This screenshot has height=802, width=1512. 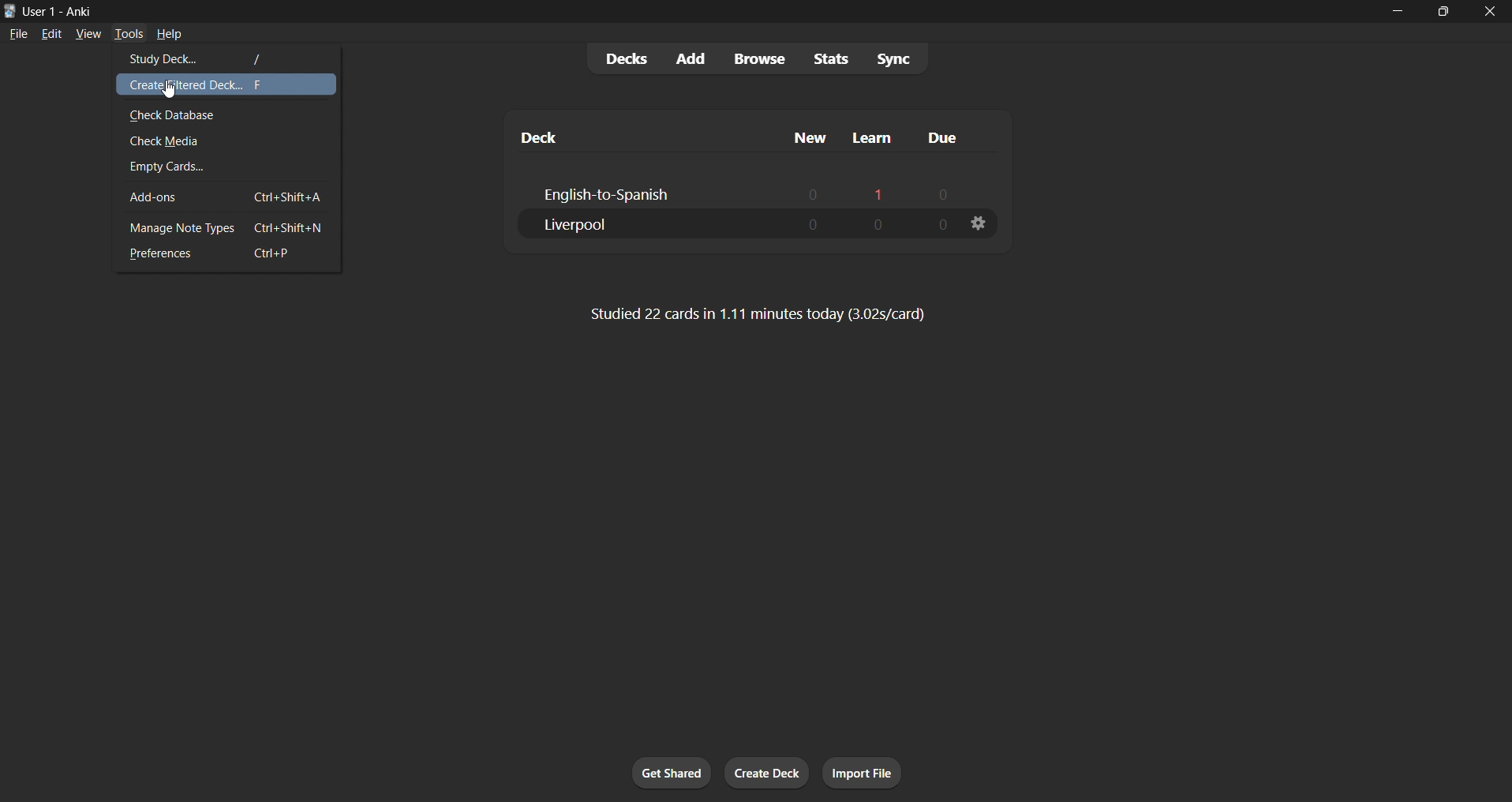 I want to click on 0, so click(x=945, y=194).